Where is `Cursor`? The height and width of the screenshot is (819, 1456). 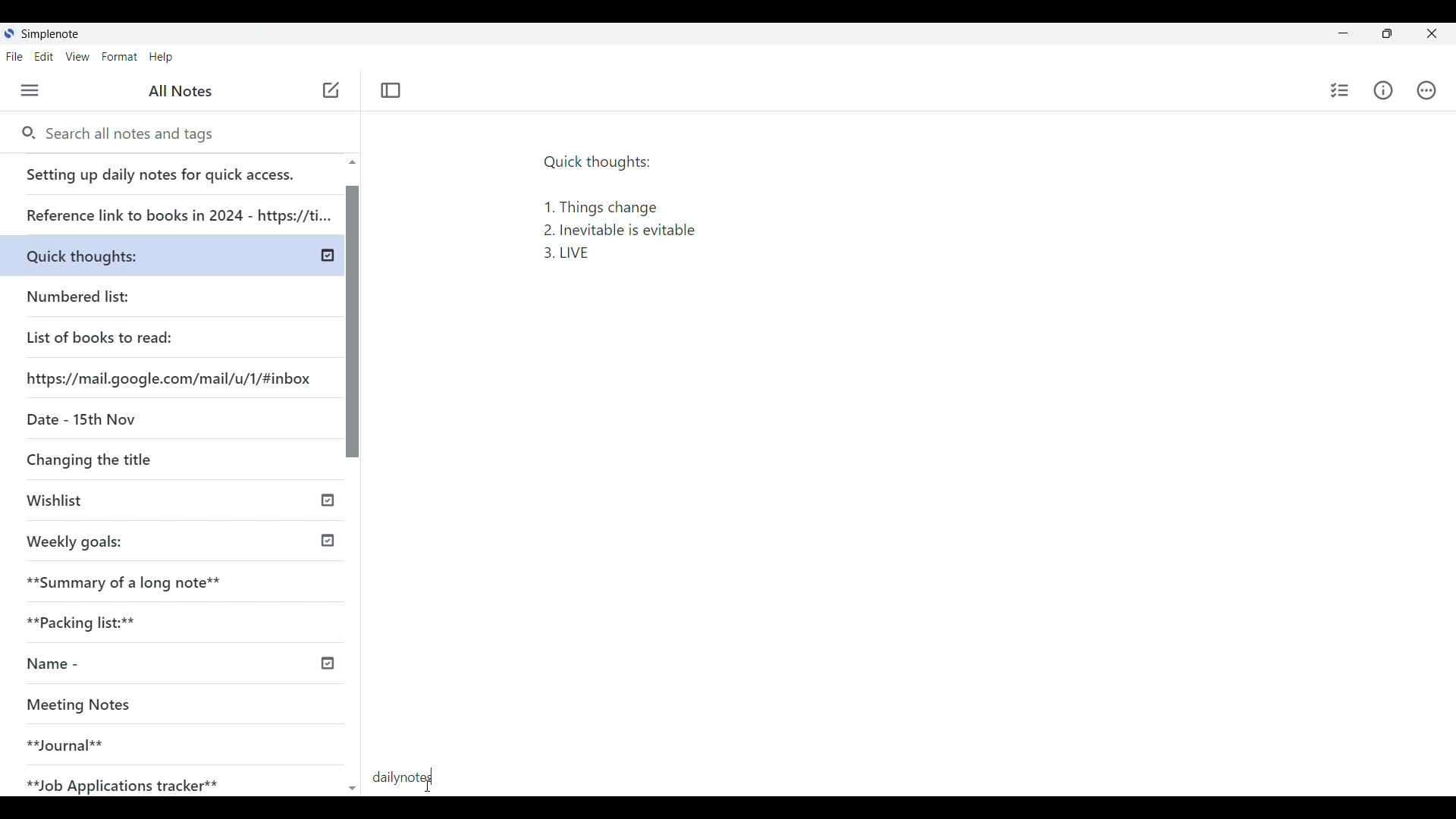
Cursor is located at coordinates (428, 786).